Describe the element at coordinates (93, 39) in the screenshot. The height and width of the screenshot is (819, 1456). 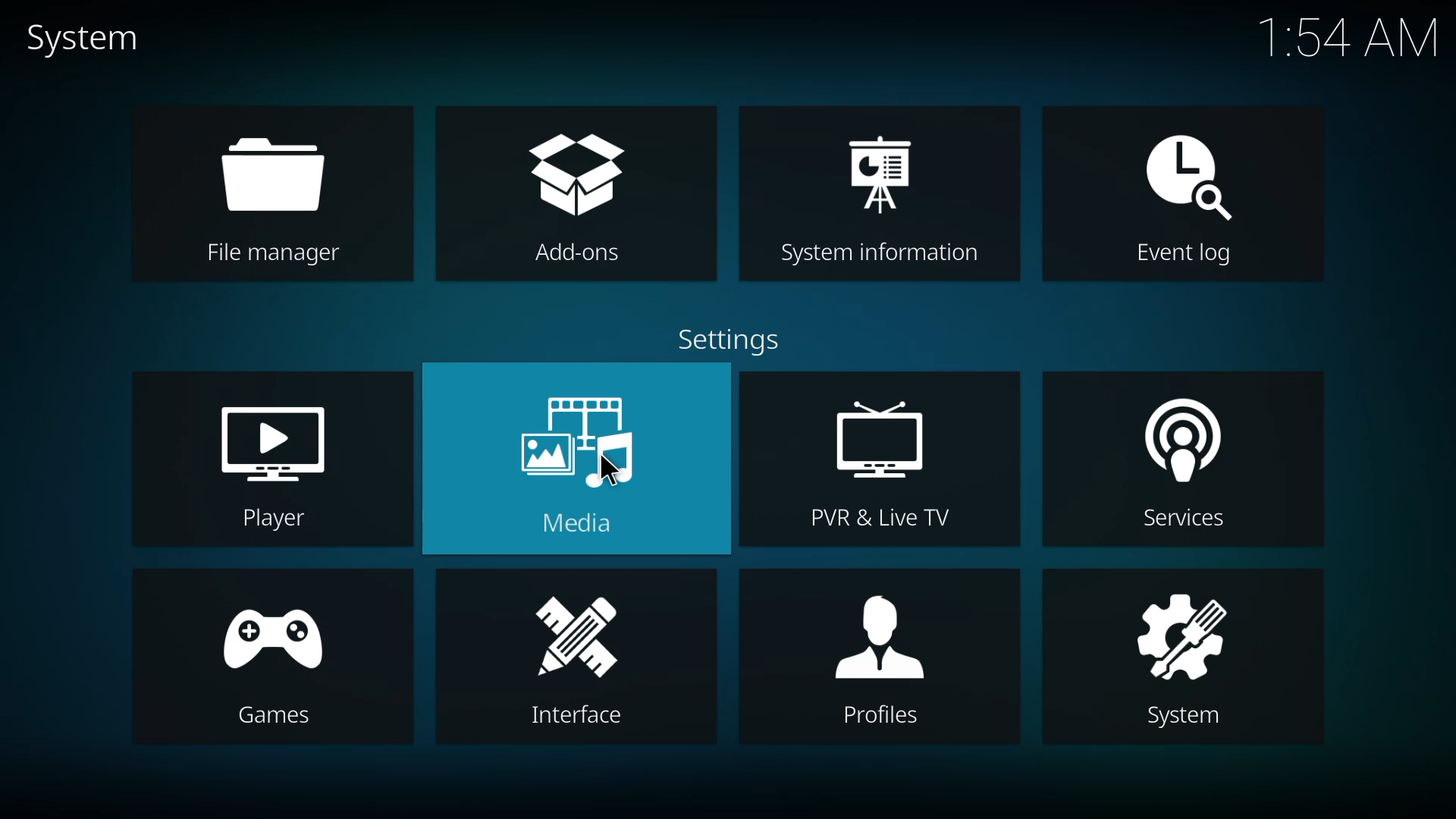
I see `system` at that location.